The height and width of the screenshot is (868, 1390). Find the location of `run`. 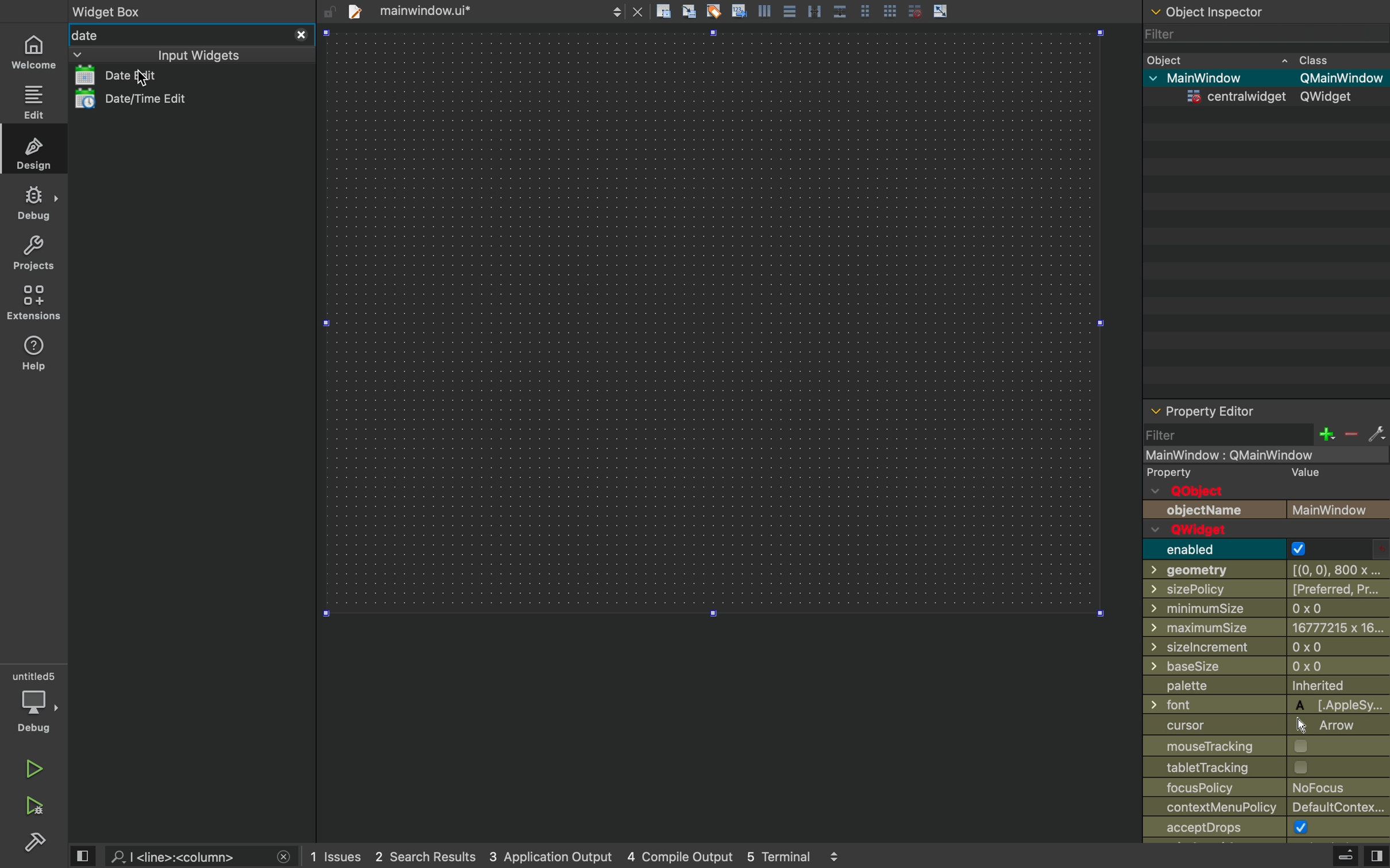

run is located at coordinates (34, 768).